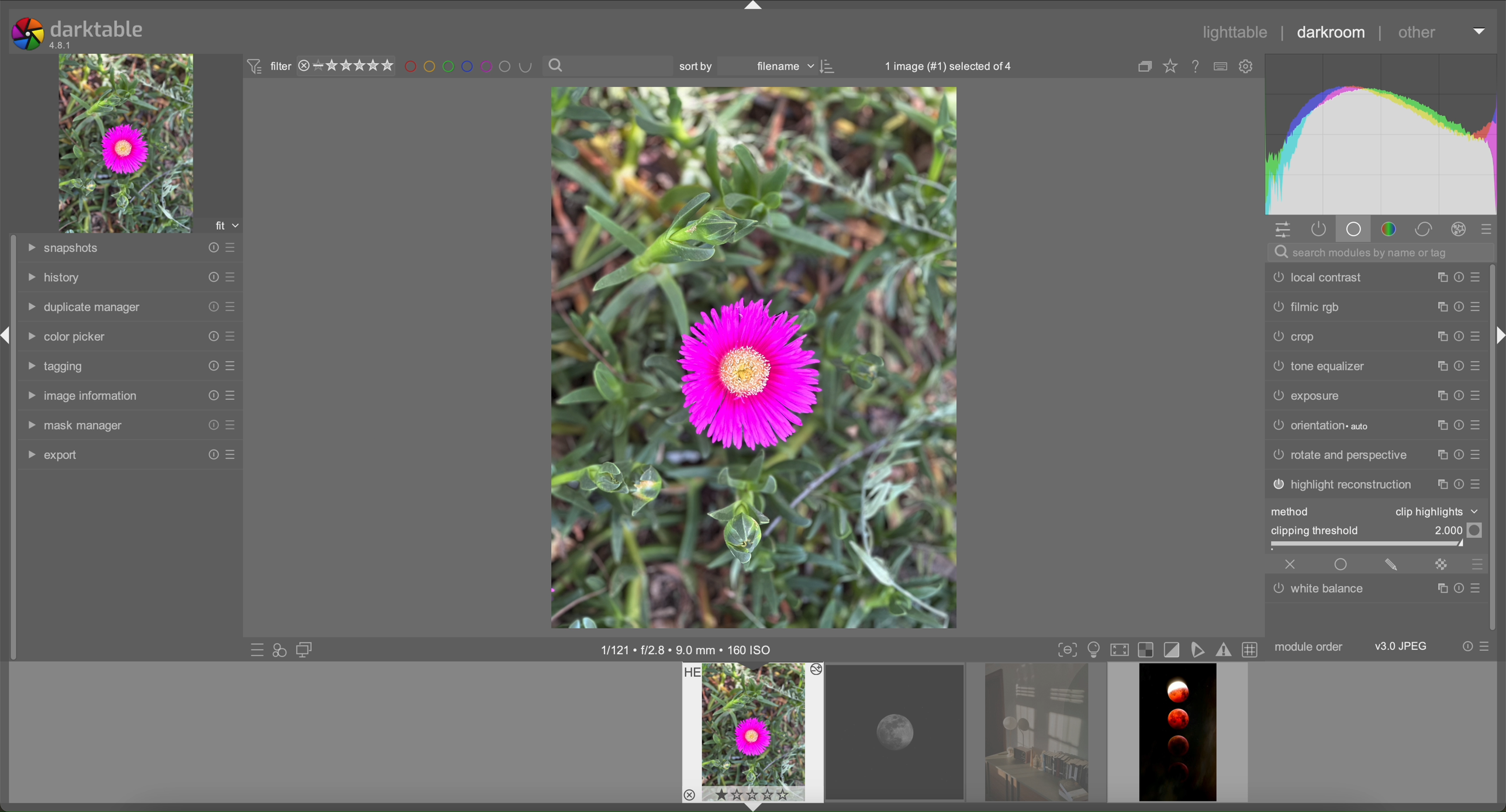 The height and width of the screenshot is (812, 1506). What do you see at coordinates (752, 806) in the screenshot?
I see `arrow` at bounding box center [752, 806].